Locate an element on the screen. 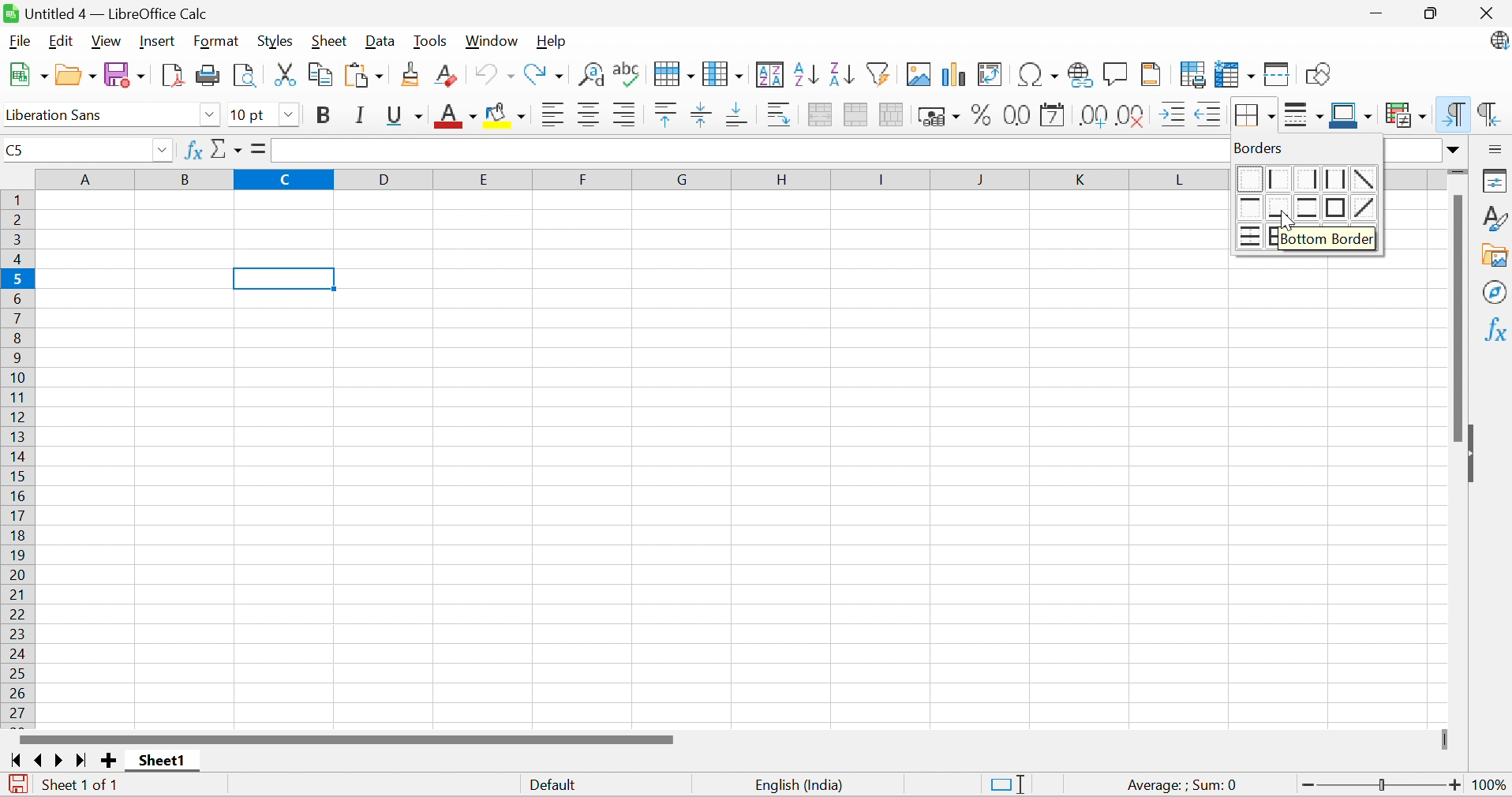 This screenshot has height=797, width=1512. Untitled 4 - LibreOffice Calc is located at coordinates (105, 12).